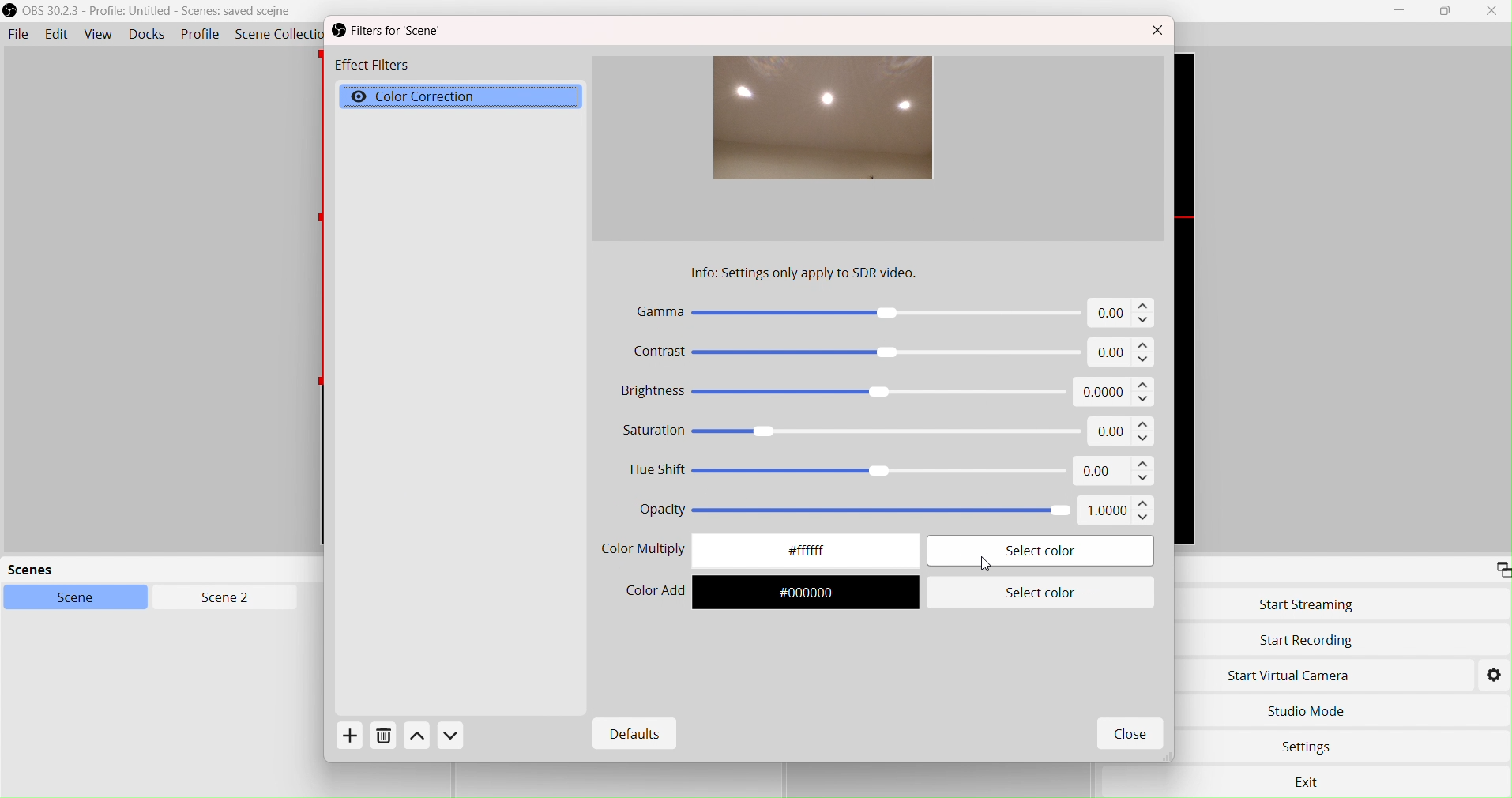  What do you see at coordinates (1491, 10) in the screenshot?
I see `Close` at bounding box center [1491, 10].